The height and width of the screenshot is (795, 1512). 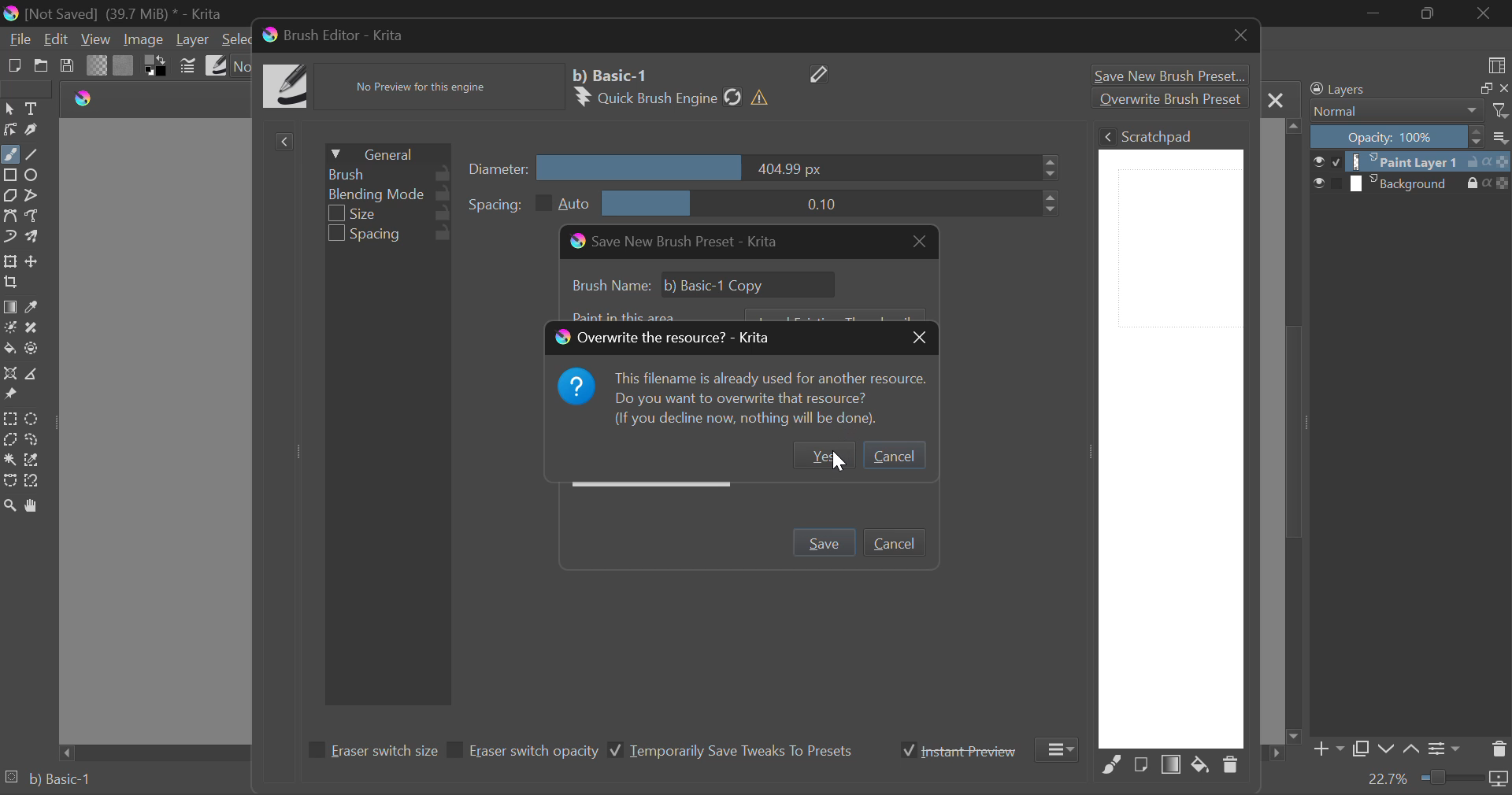 What do you see at coordinates (233, 42) in the screenshot?
I see `Select` at bounding box center [233, 42].